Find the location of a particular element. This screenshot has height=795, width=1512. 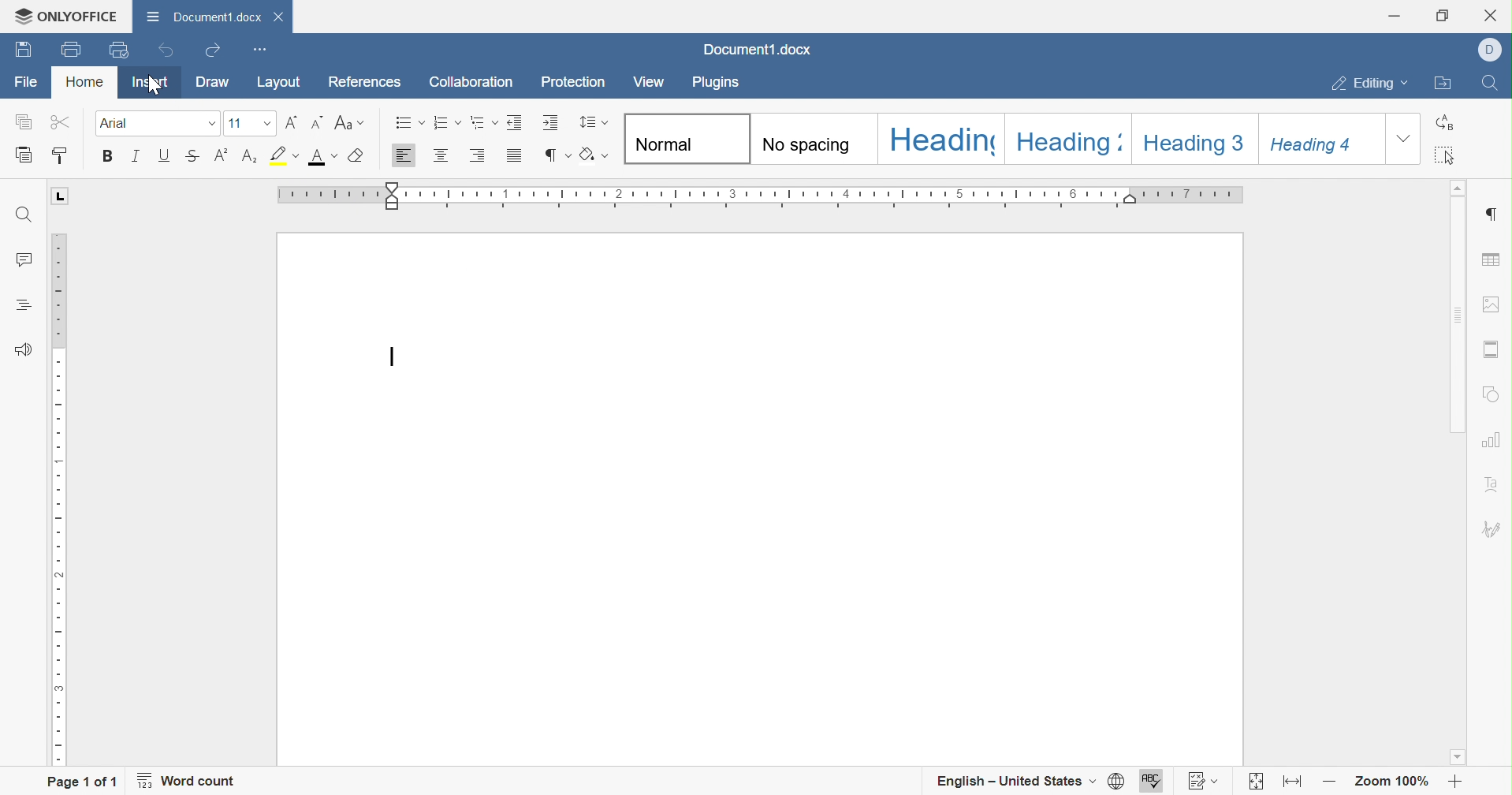

Text art settings is located at coordinates (1494, 487).